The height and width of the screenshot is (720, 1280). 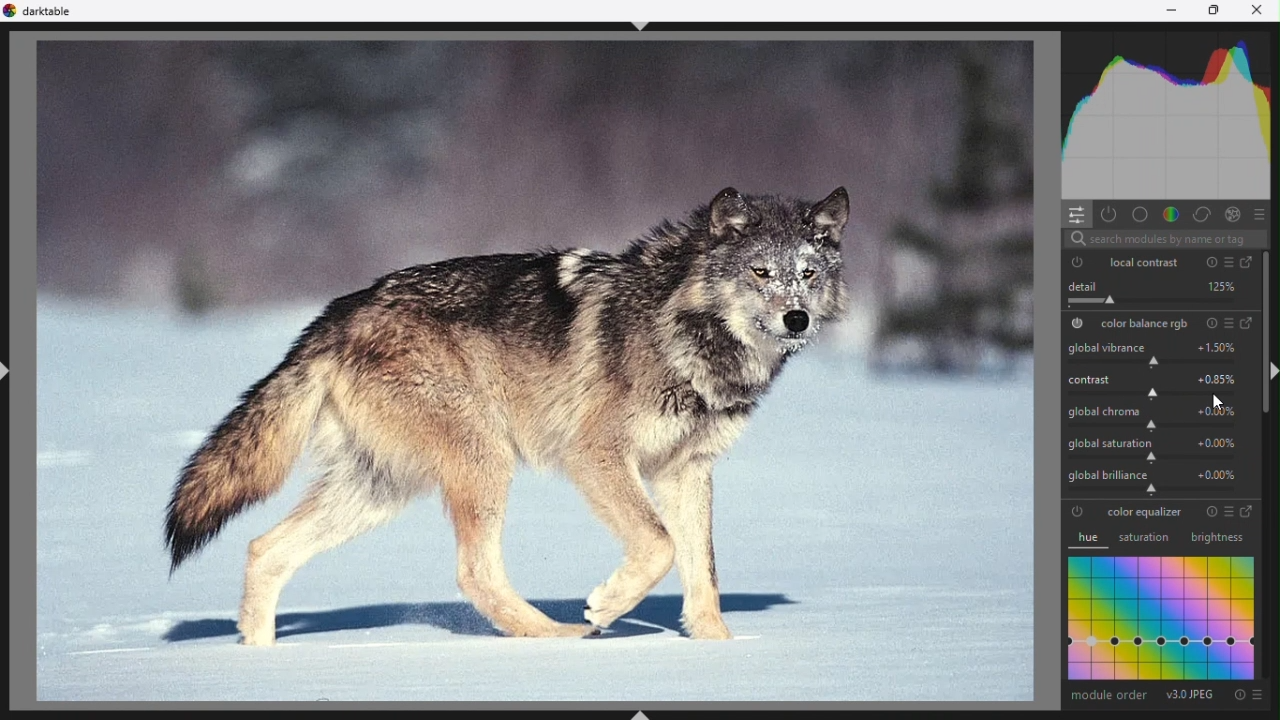 I want to click on module order, so click(x=1109, y=695).